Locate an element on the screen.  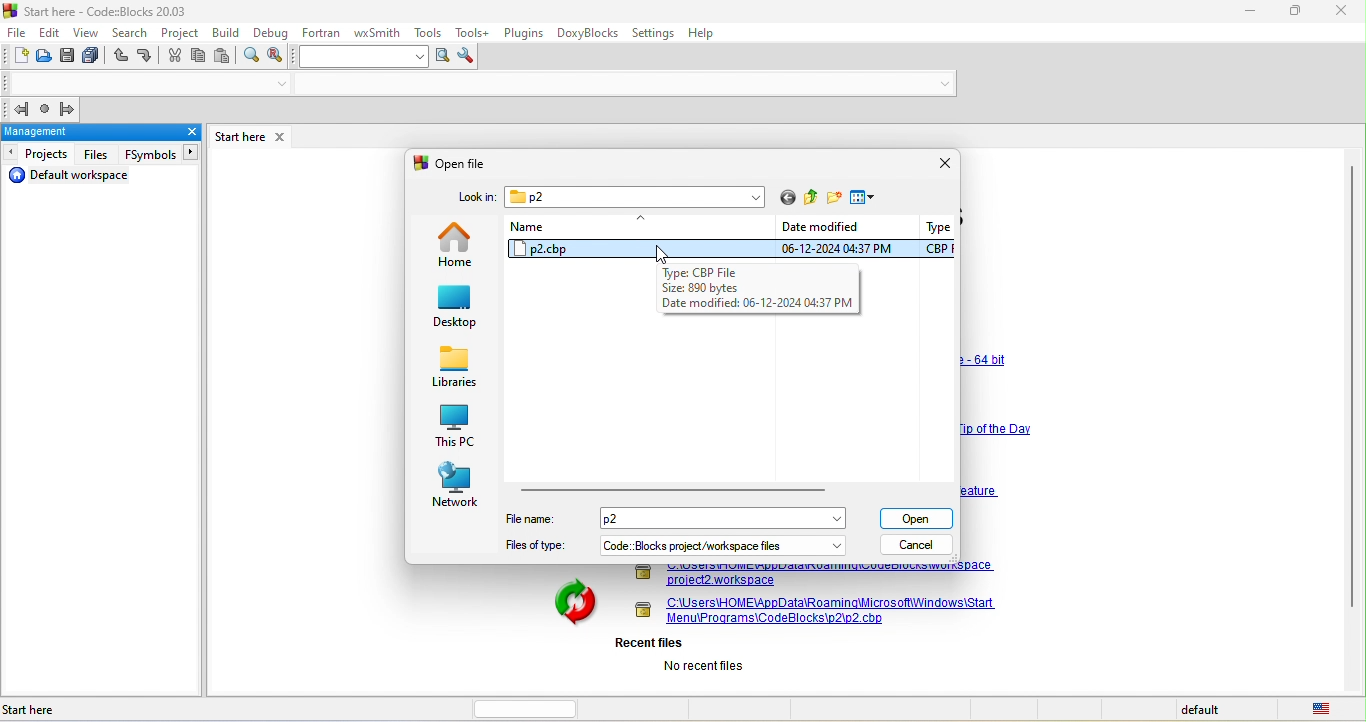
close is located at coordinates (1338, 12).